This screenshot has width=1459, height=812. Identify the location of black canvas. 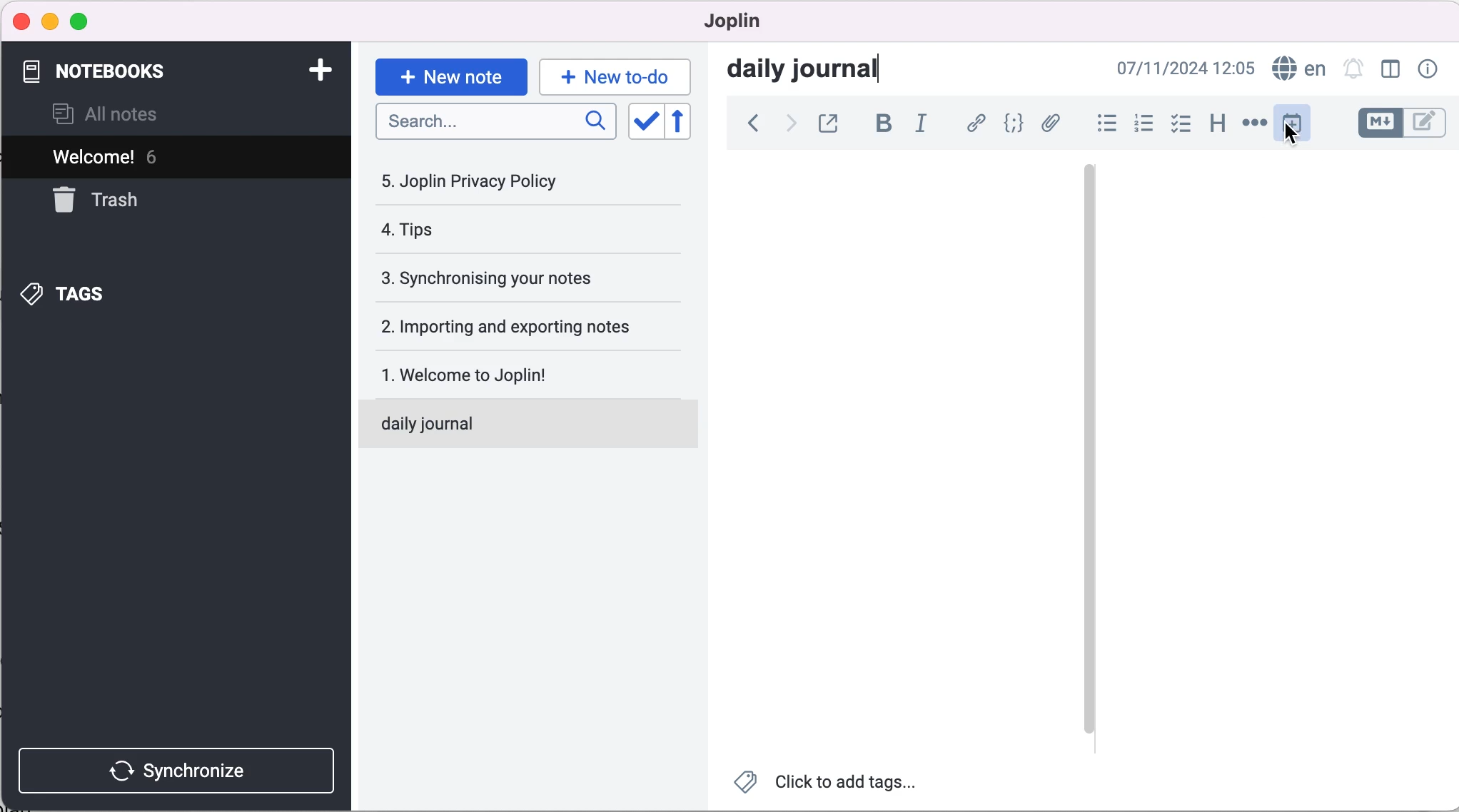
(902, 446).